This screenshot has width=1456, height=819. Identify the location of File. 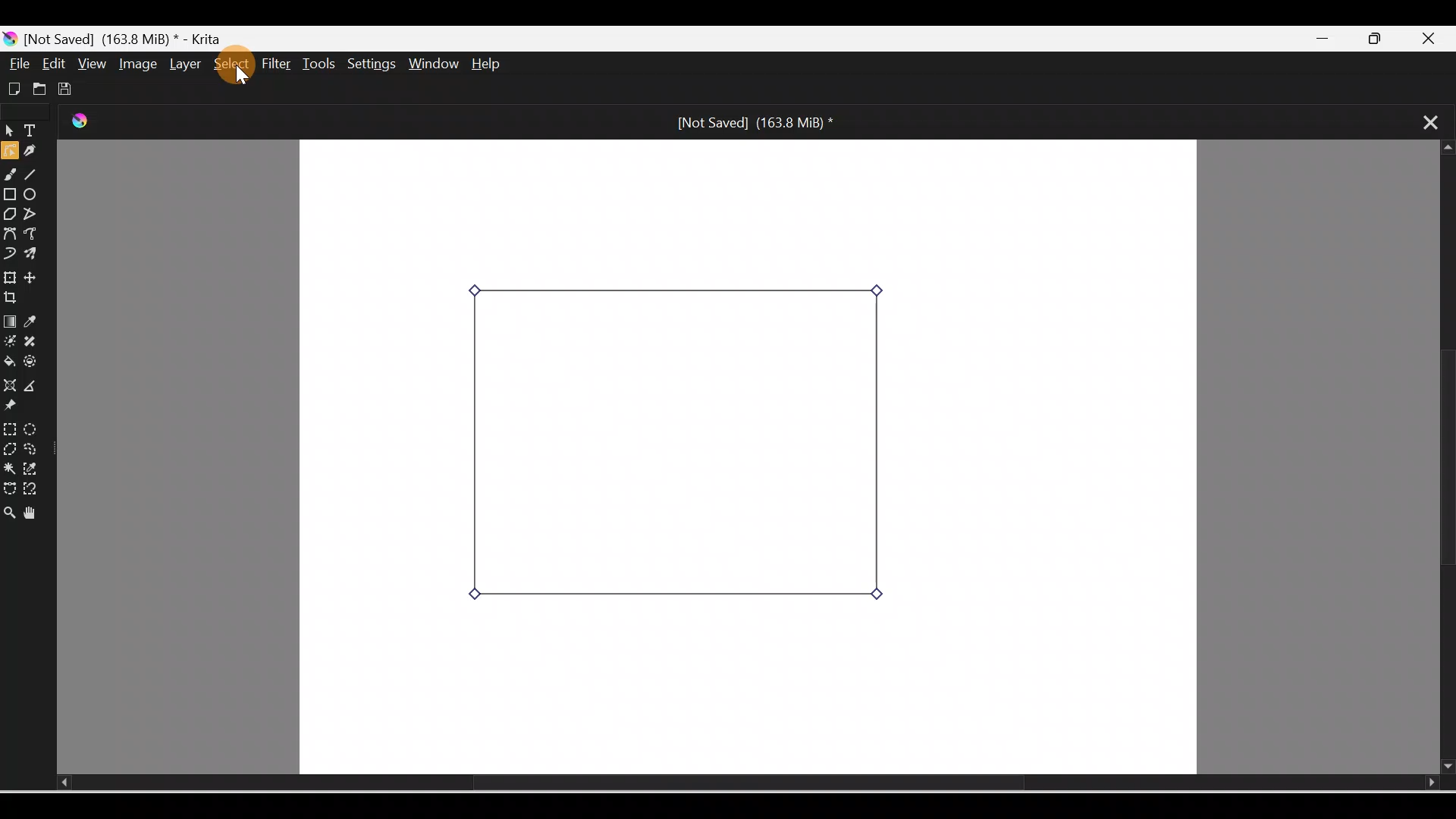
(20, 64).